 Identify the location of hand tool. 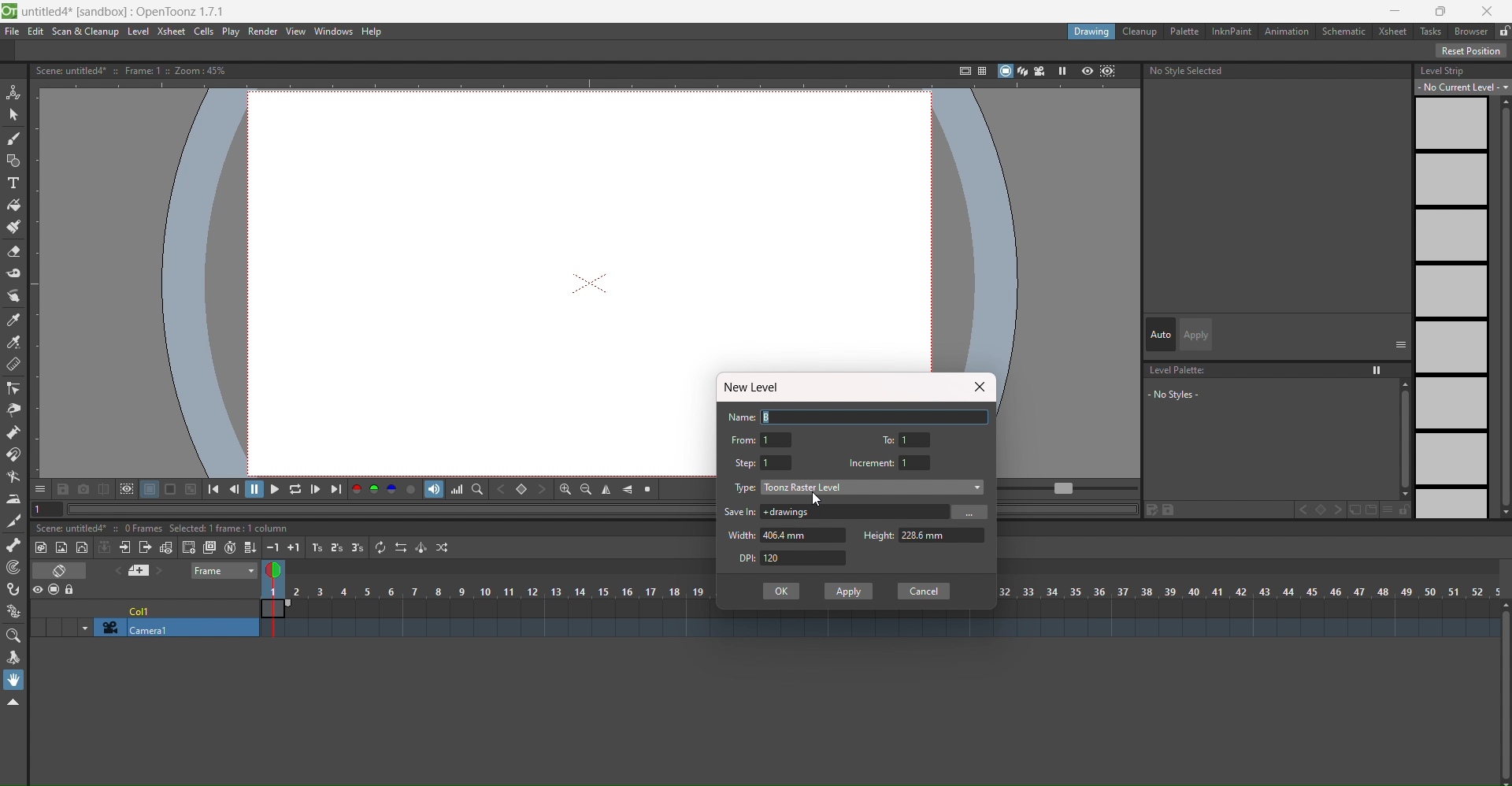
(14, 680).